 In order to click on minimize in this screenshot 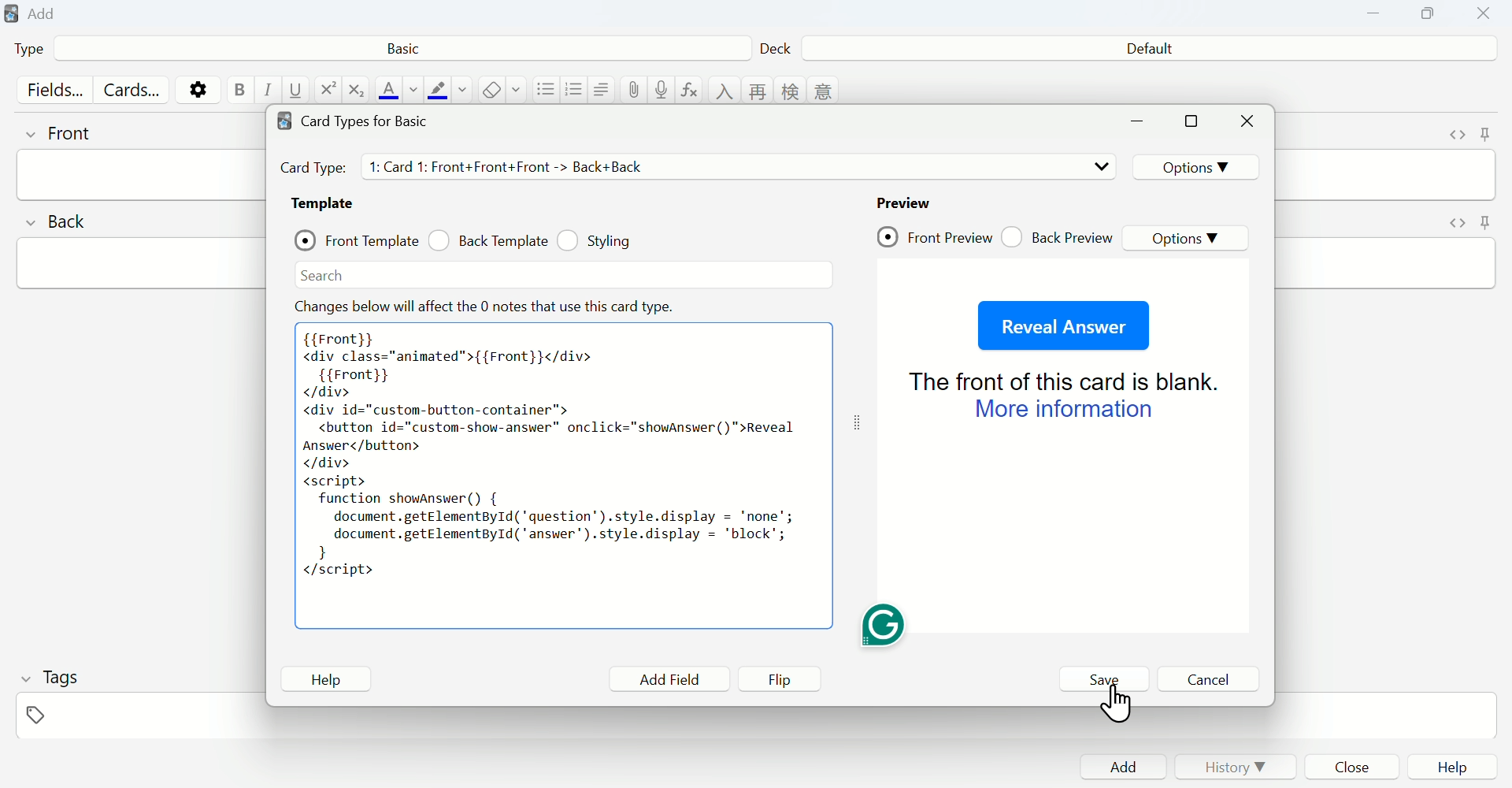, I will do `click(1141, 125)`.